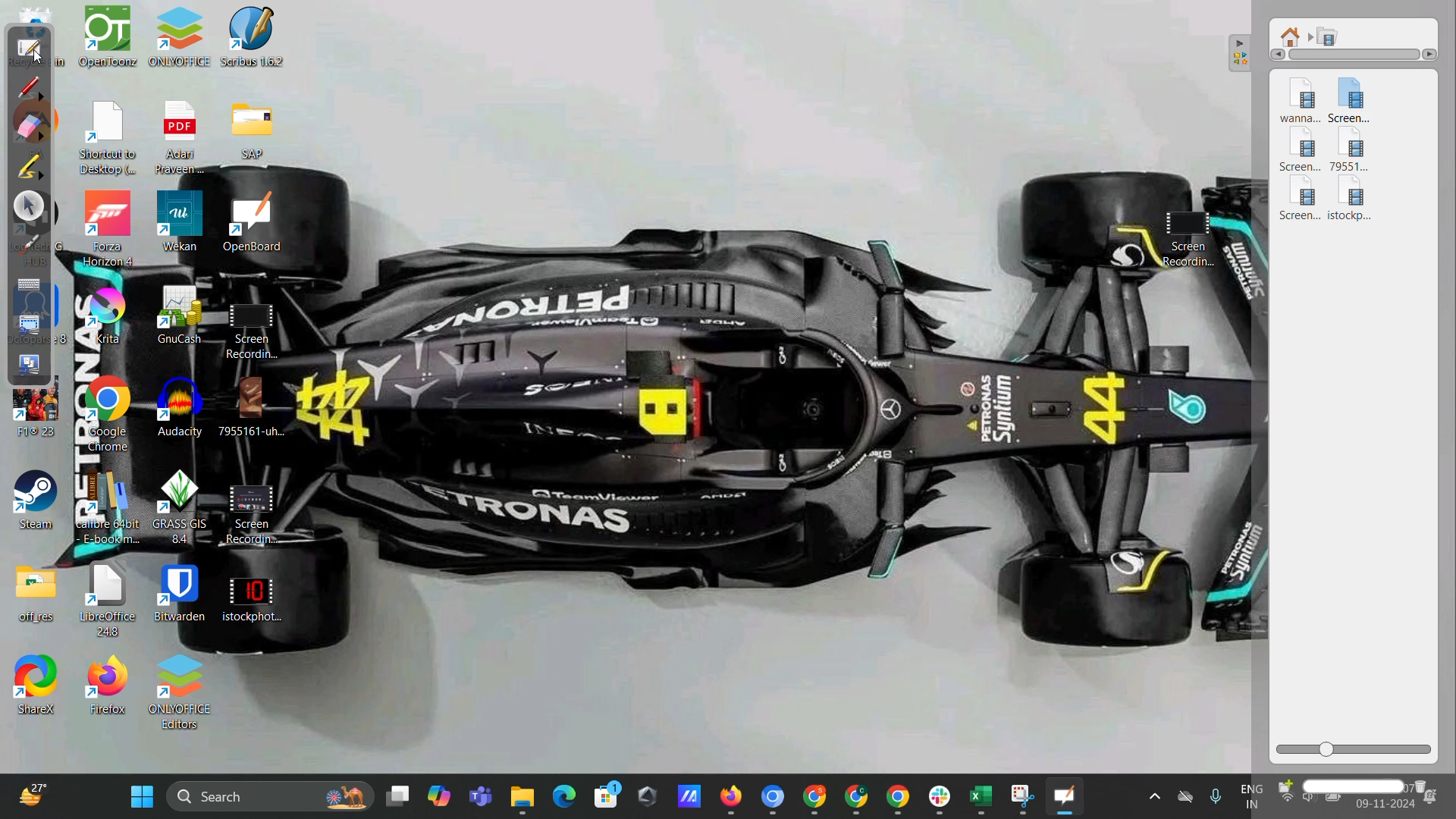  Describe the element at coordinates (256, 130) in the screenshot. I see `SAP` at that location.